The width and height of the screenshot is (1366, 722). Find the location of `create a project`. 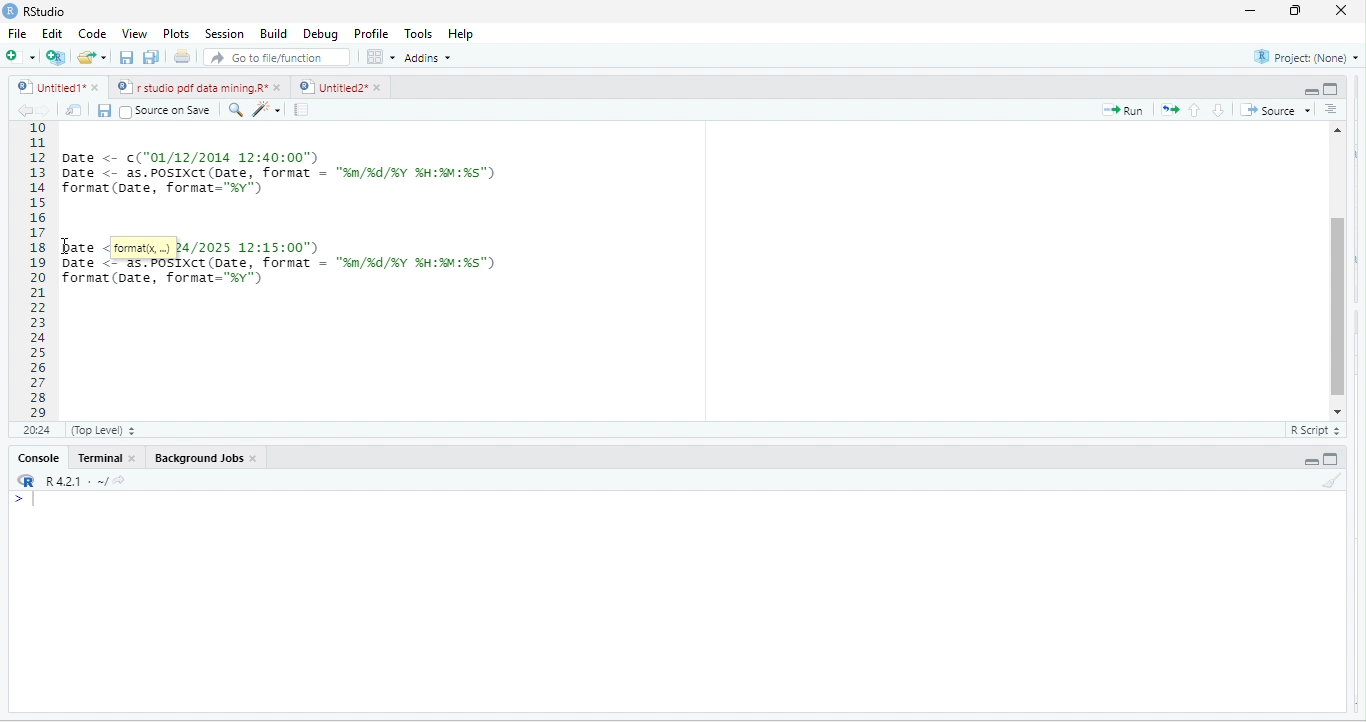

create a project is located at coordinates (54, 57).